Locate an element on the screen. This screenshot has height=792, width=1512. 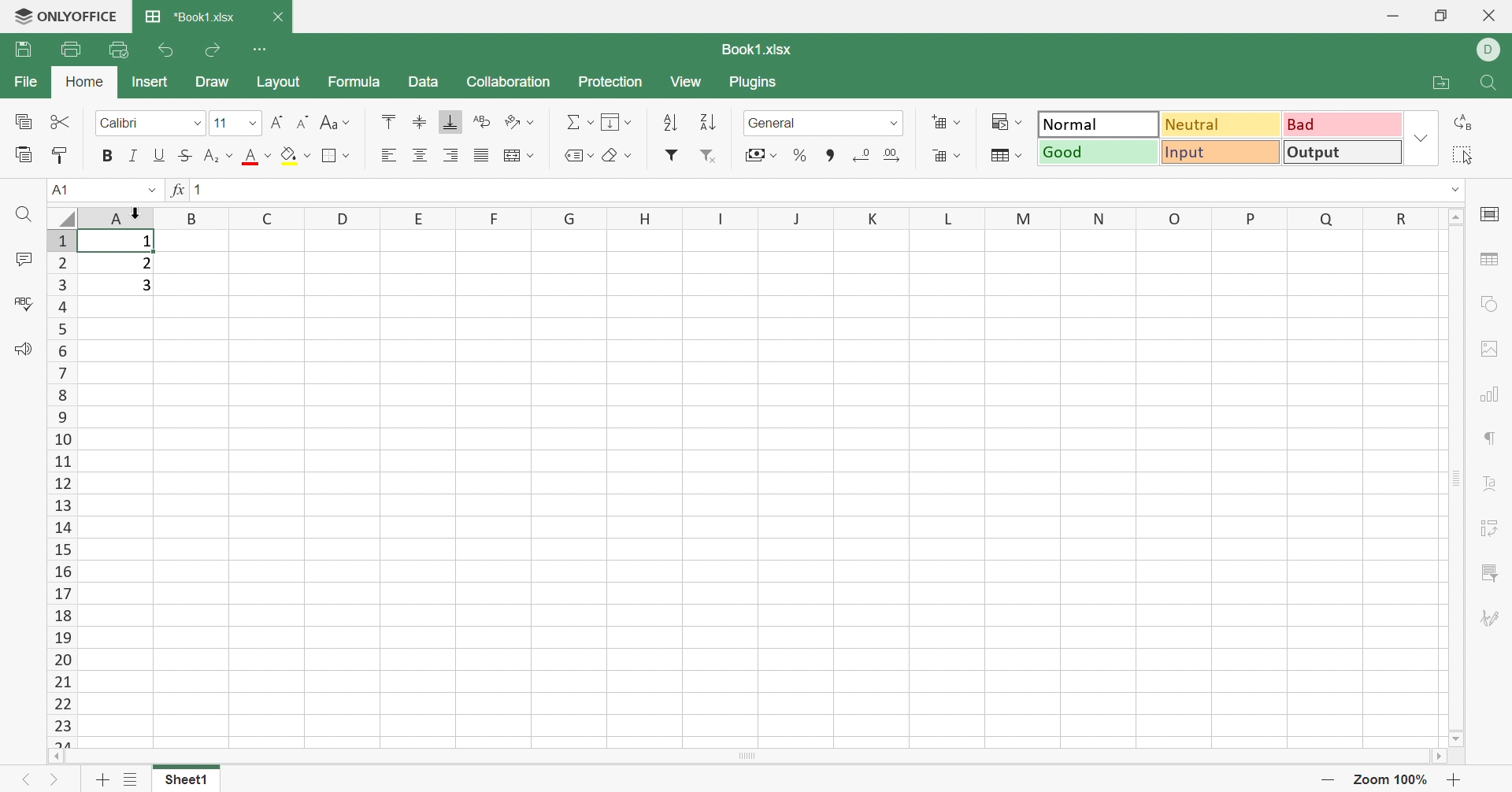
Feedback & Support is located at coordinates (22, 349).